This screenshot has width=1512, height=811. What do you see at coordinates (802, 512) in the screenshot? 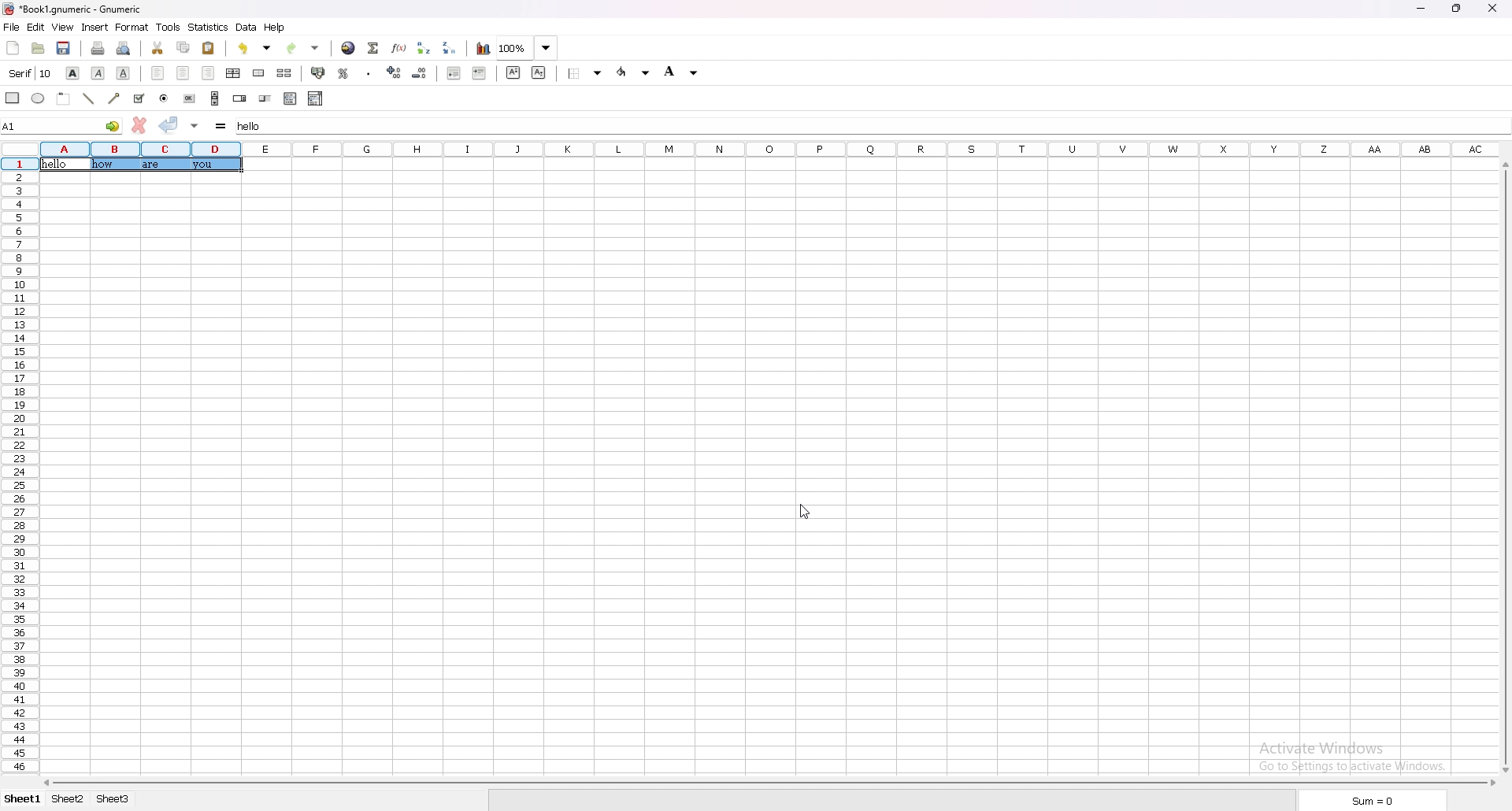
I see `cursor` at bounding box center [802, 512].